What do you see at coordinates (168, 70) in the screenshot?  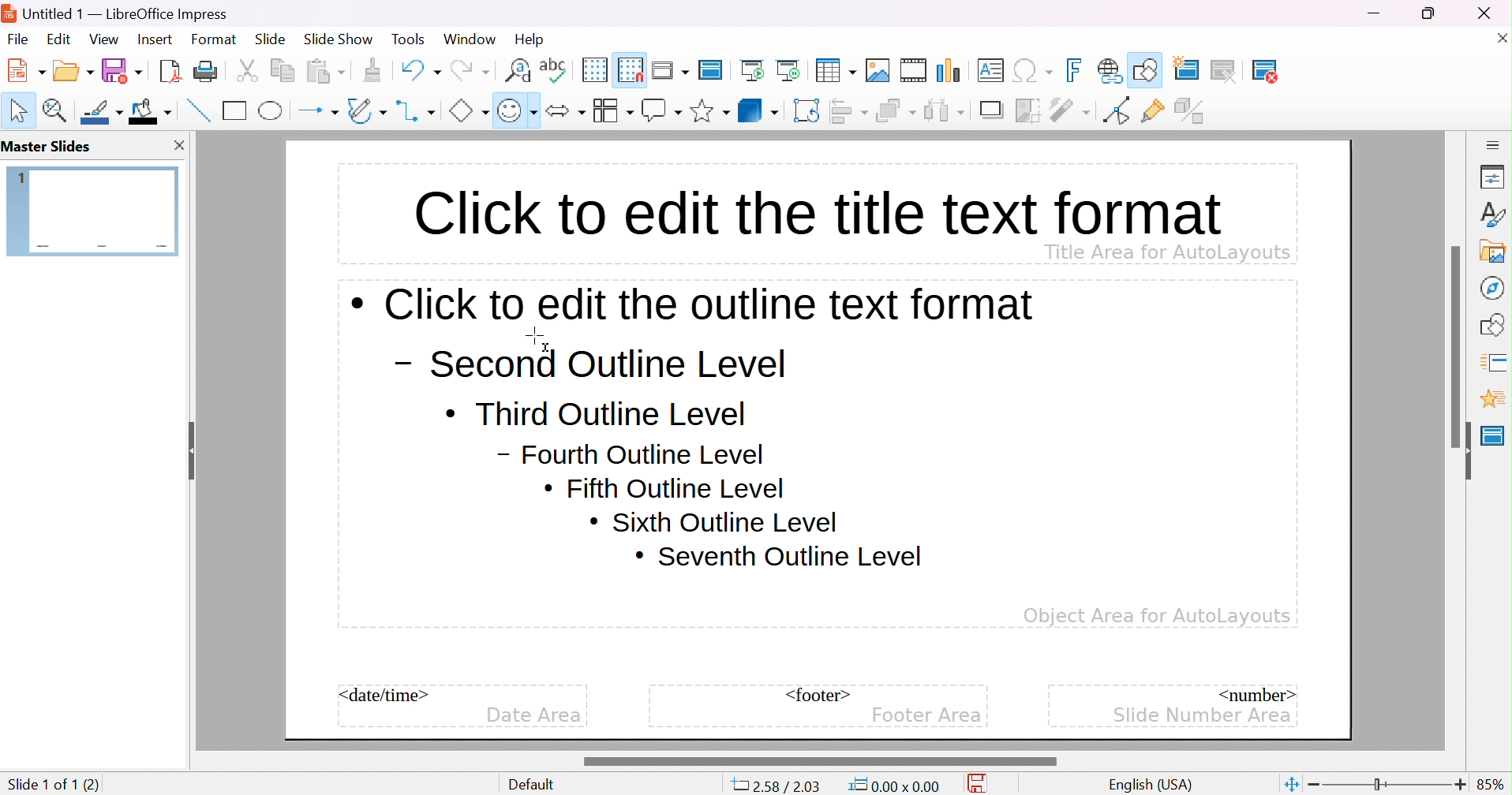 I see `export as pdf` at bounding box center [168, 70].